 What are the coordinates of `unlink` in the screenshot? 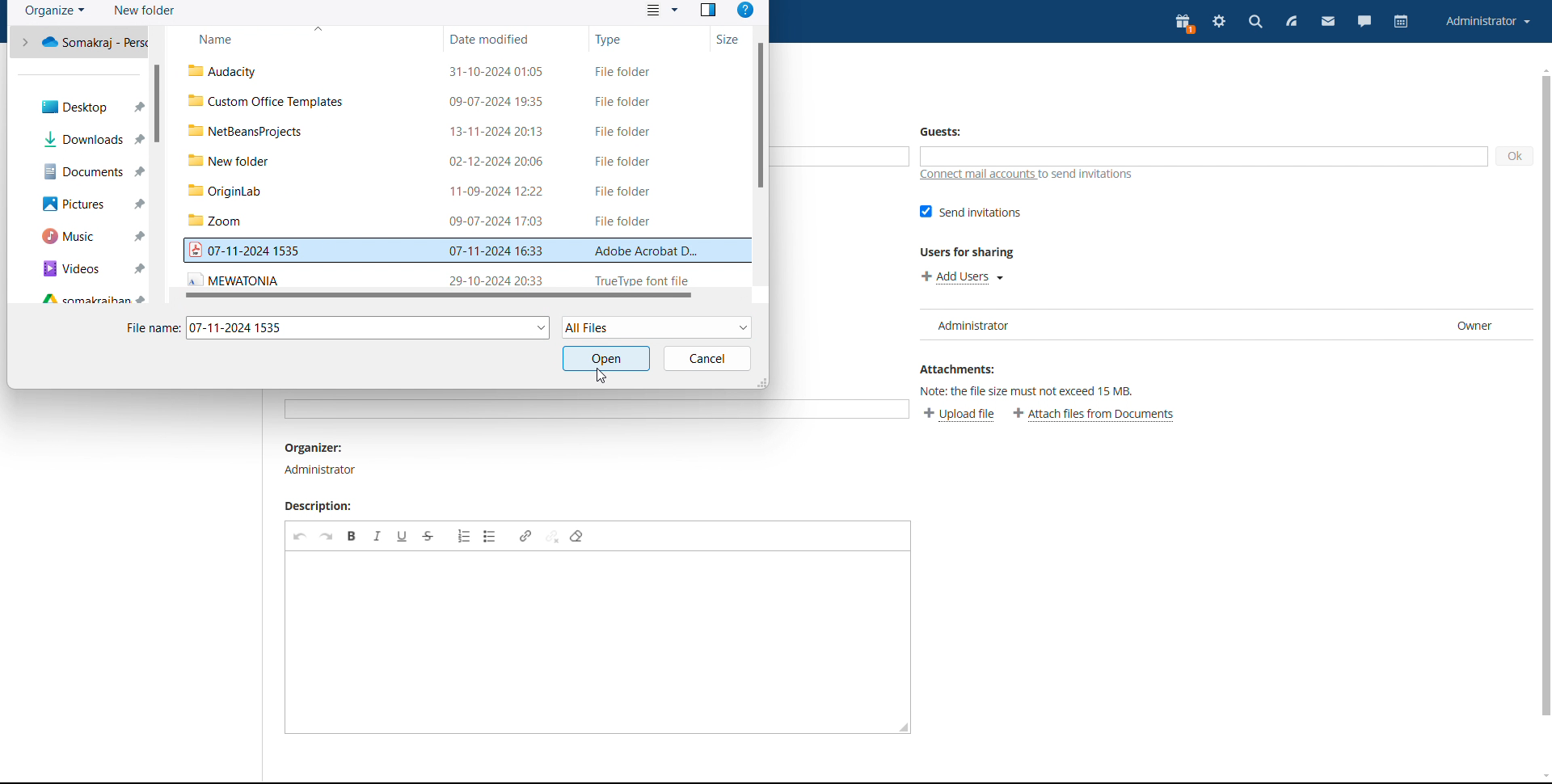 It's located at (552, 535).